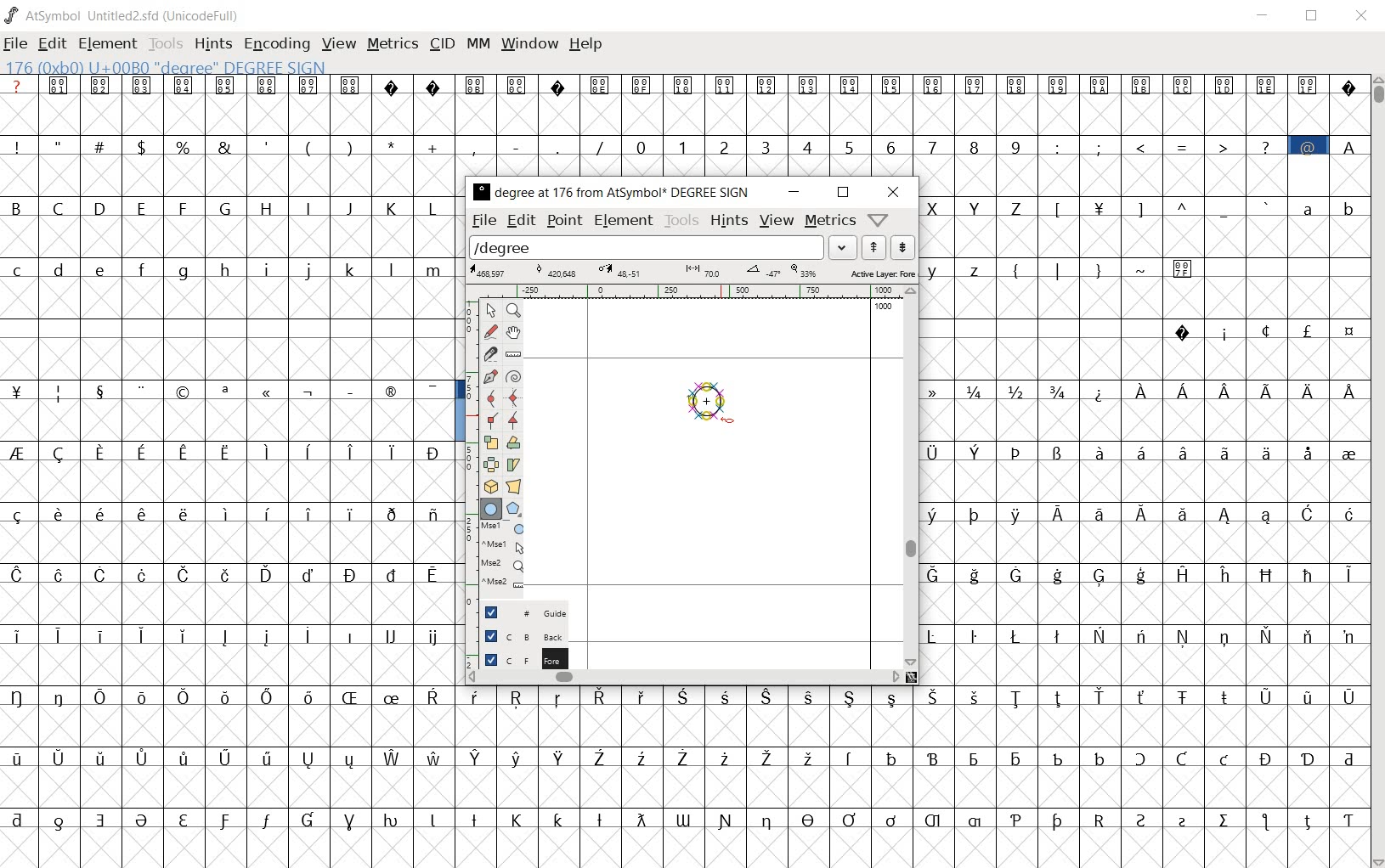 This screenshot has width=1385, height=868. I want to click on special letters, so click(229, 757).